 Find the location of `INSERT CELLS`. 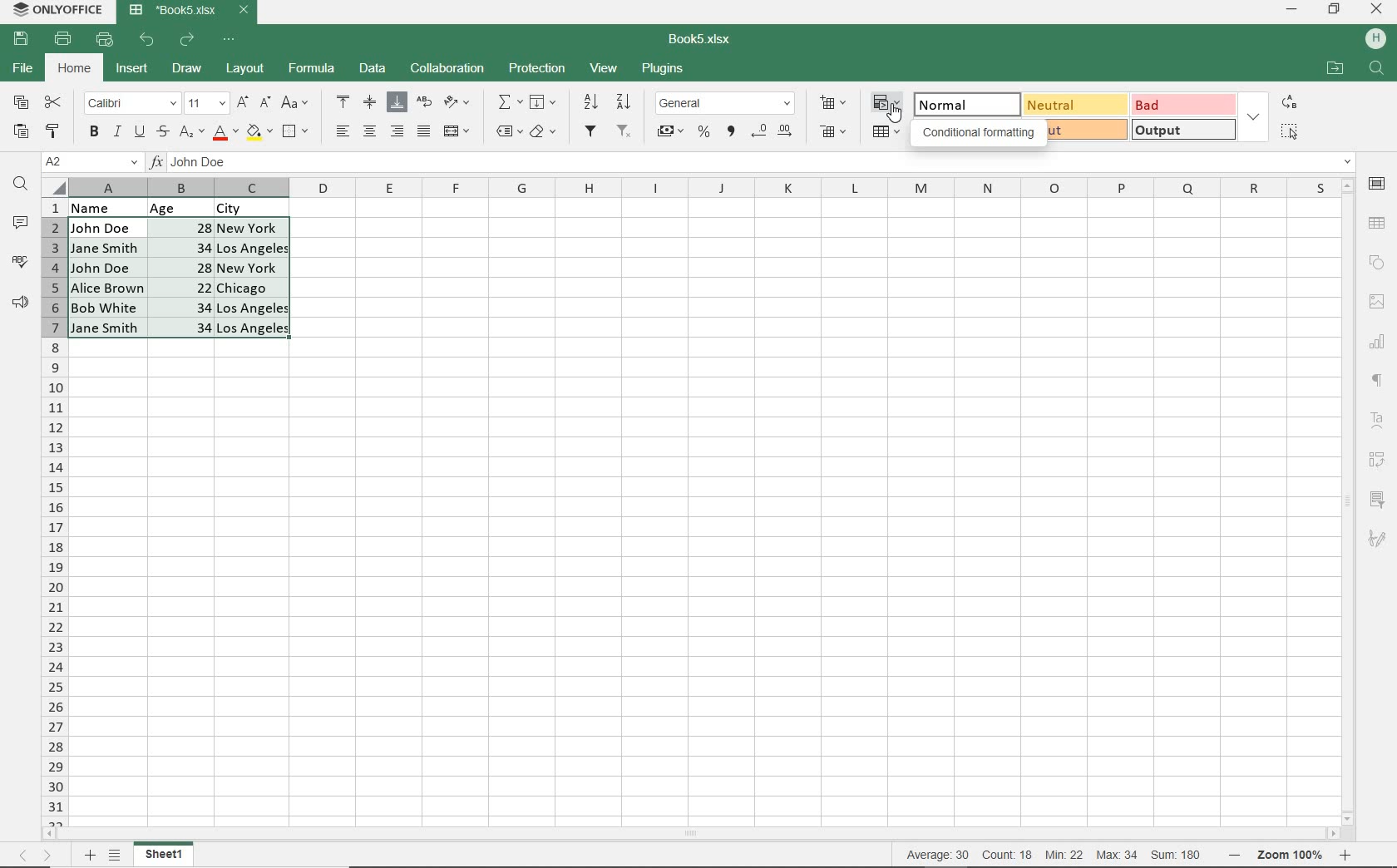

INSERT CELLS is located at coordinates (837, 101).